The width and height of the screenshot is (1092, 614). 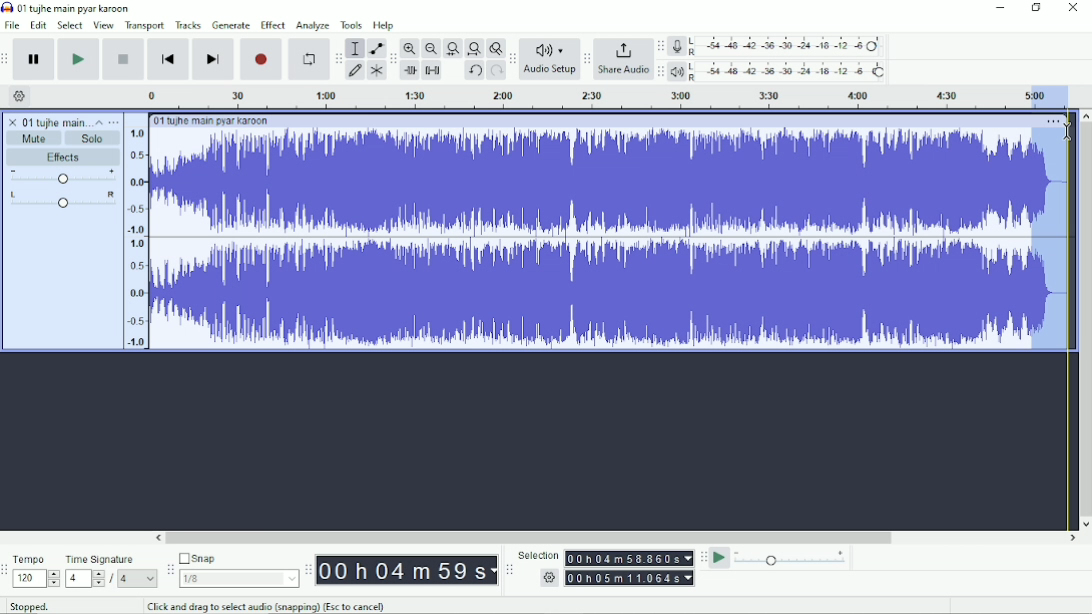 What do you see at coordinates (78, 59) in the screenshot?
I see `Play` at bounding box center [78, 59].